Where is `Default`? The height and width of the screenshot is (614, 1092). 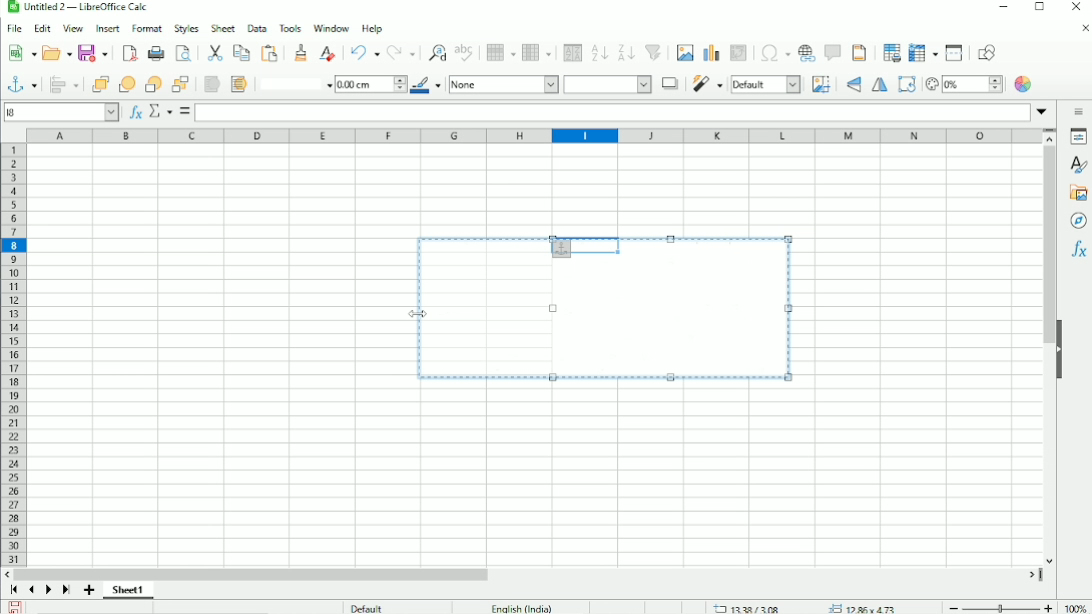
Default is located at coordinates (366, 606).